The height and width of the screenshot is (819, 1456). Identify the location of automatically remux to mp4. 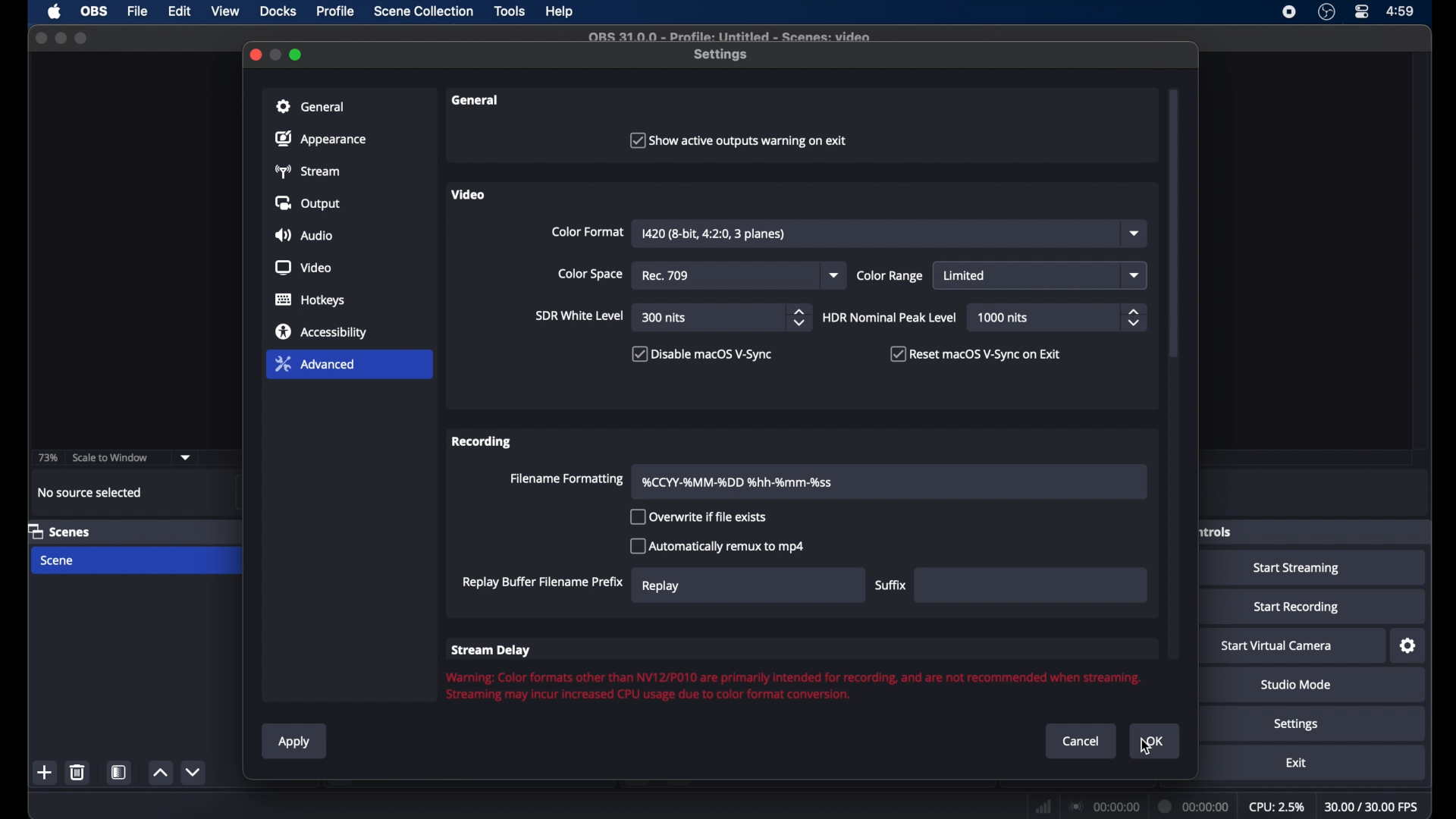
(717, 546).